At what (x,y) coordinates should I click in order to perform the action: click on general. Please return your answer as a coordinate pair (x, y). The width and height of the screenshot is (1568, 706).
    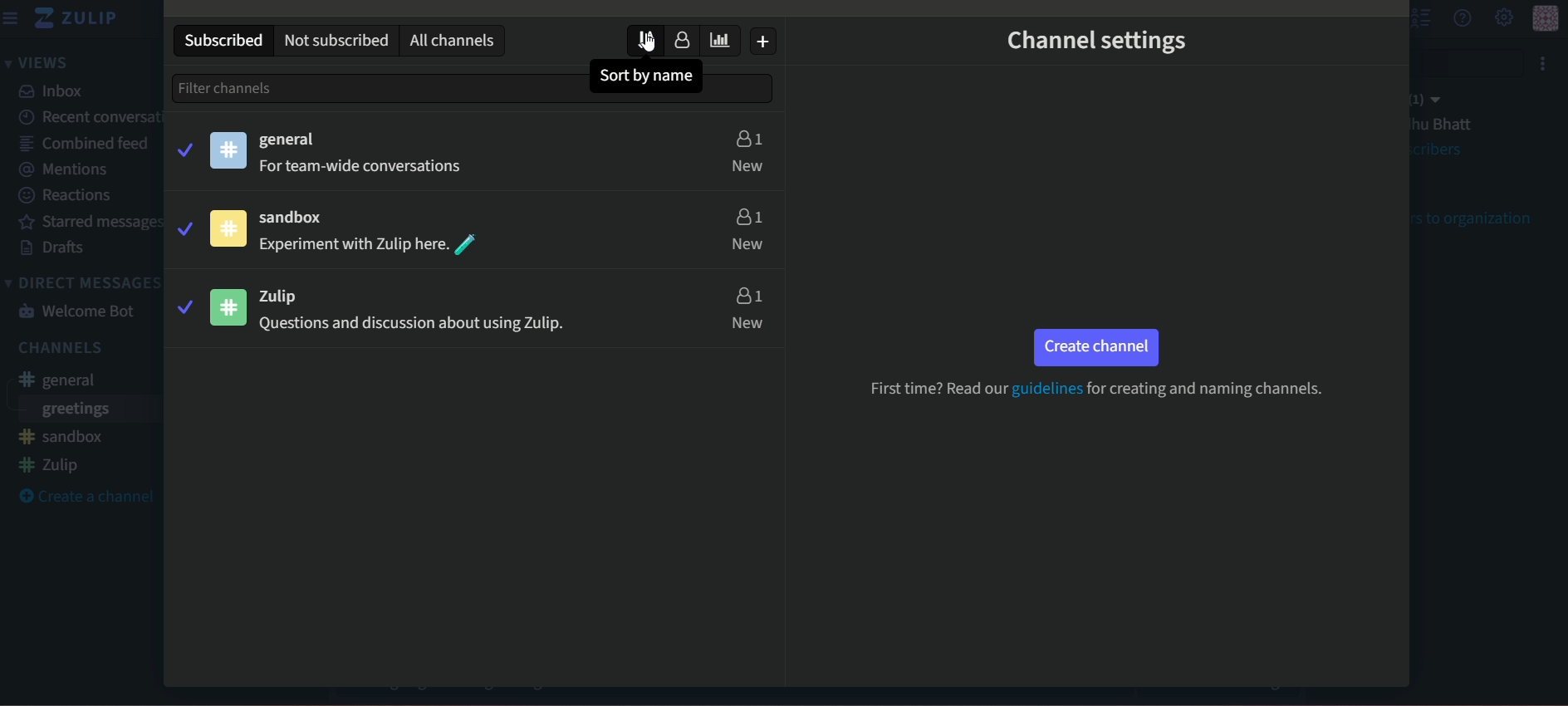
    Looking at the image, I should click on (286, 140).